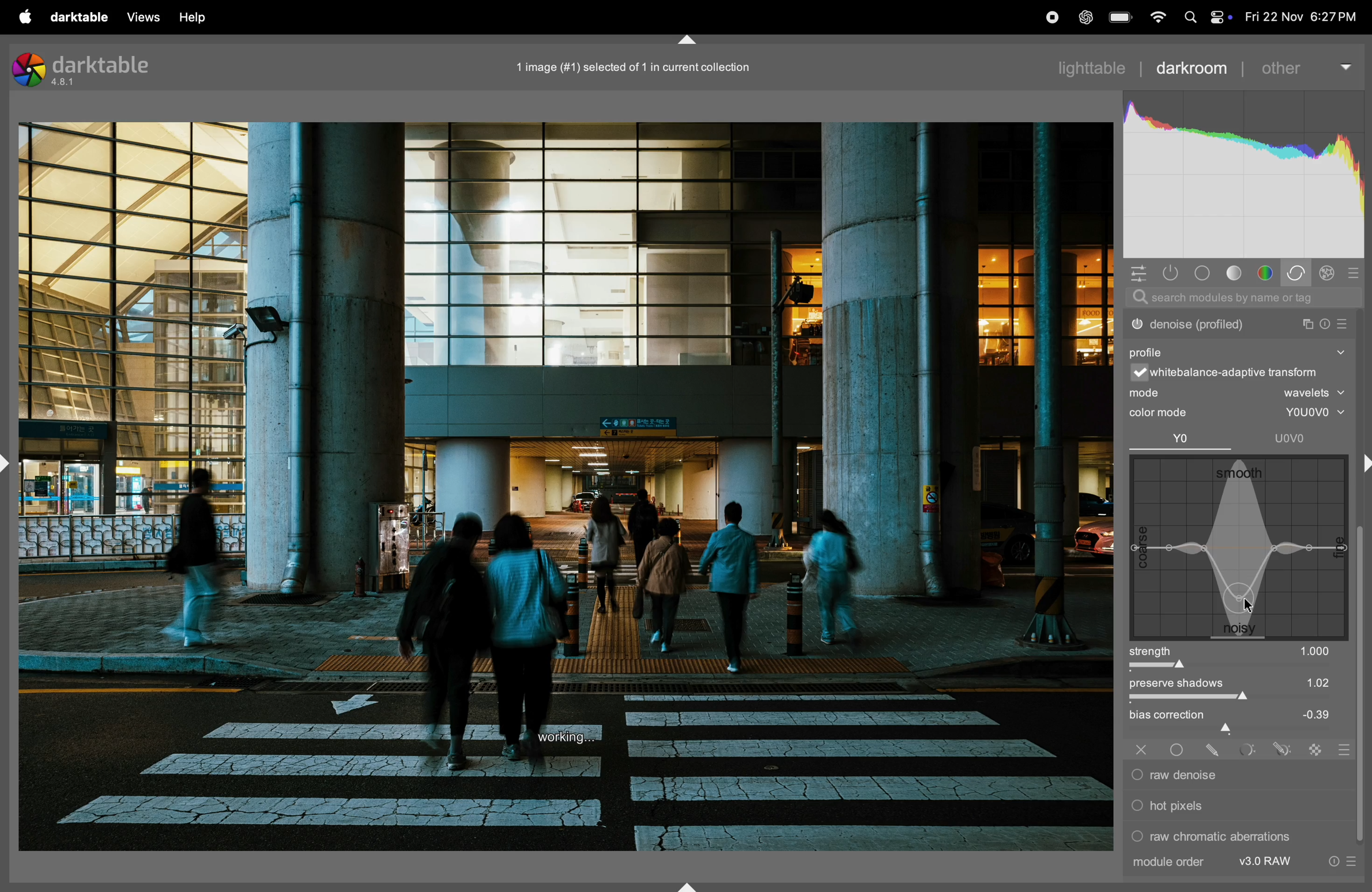 The height and width of the screenshot is (892, 1372). I want to click on white balance, so click(1226, 373).